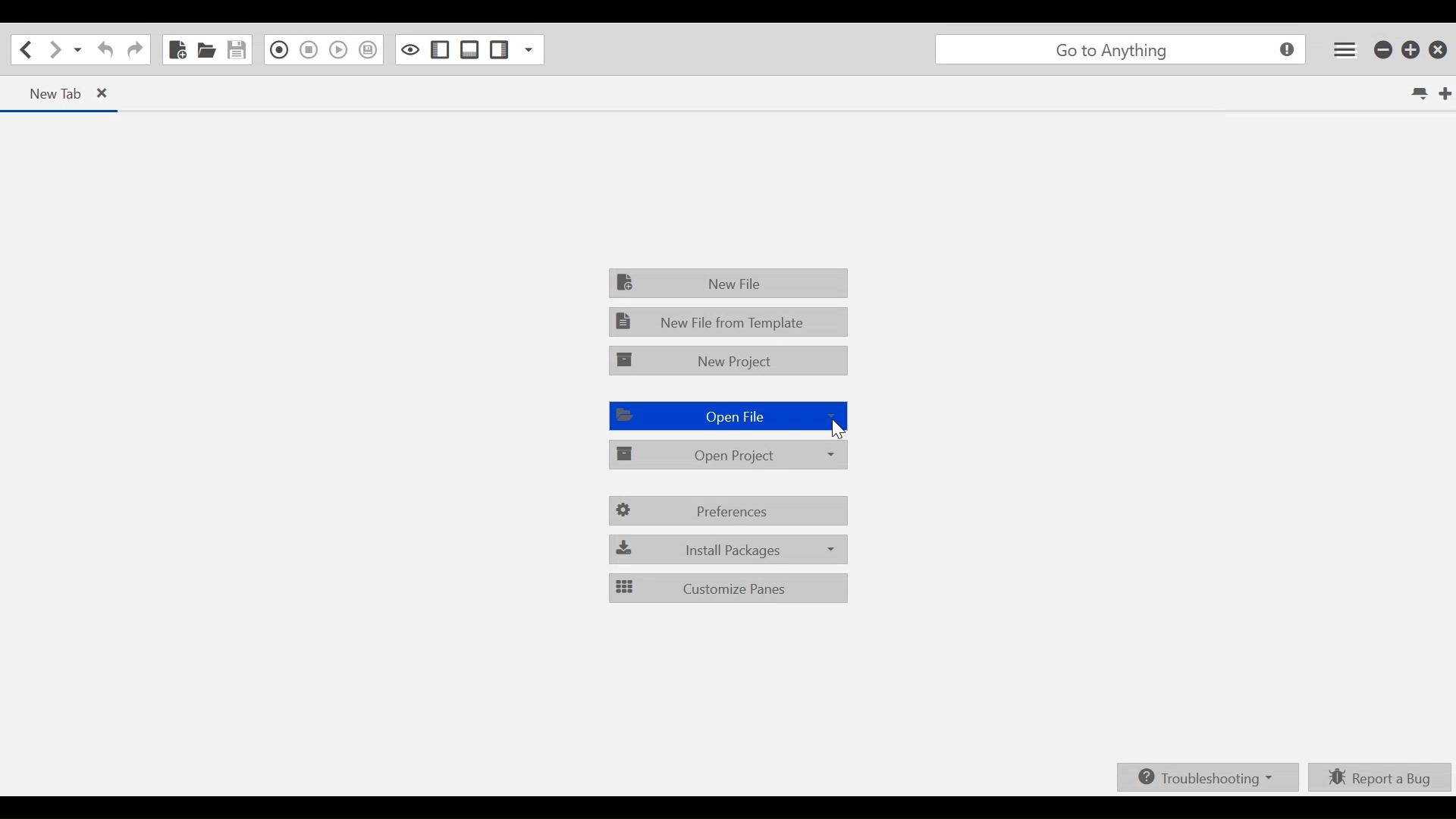 The height and width of the screenshot is (819, 1456). Describe the element at coordinates (206, 49) in the screenshot. I see `Open File` at that location.